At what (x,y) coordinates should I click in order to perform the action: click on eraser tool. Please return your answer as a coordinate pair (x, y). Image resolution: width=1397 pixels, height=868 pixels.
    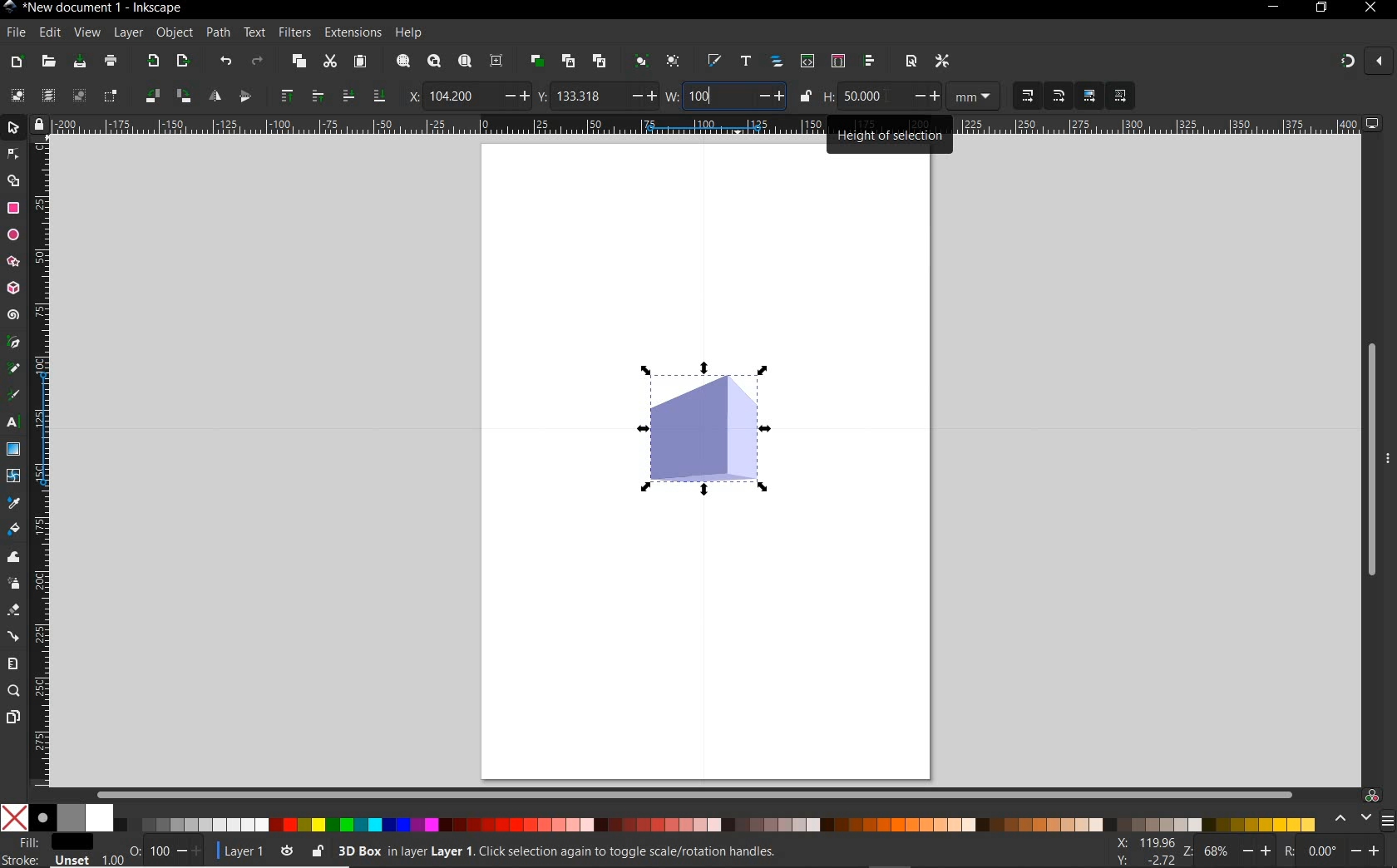
    Looking at the image, I should click on (14, 610).